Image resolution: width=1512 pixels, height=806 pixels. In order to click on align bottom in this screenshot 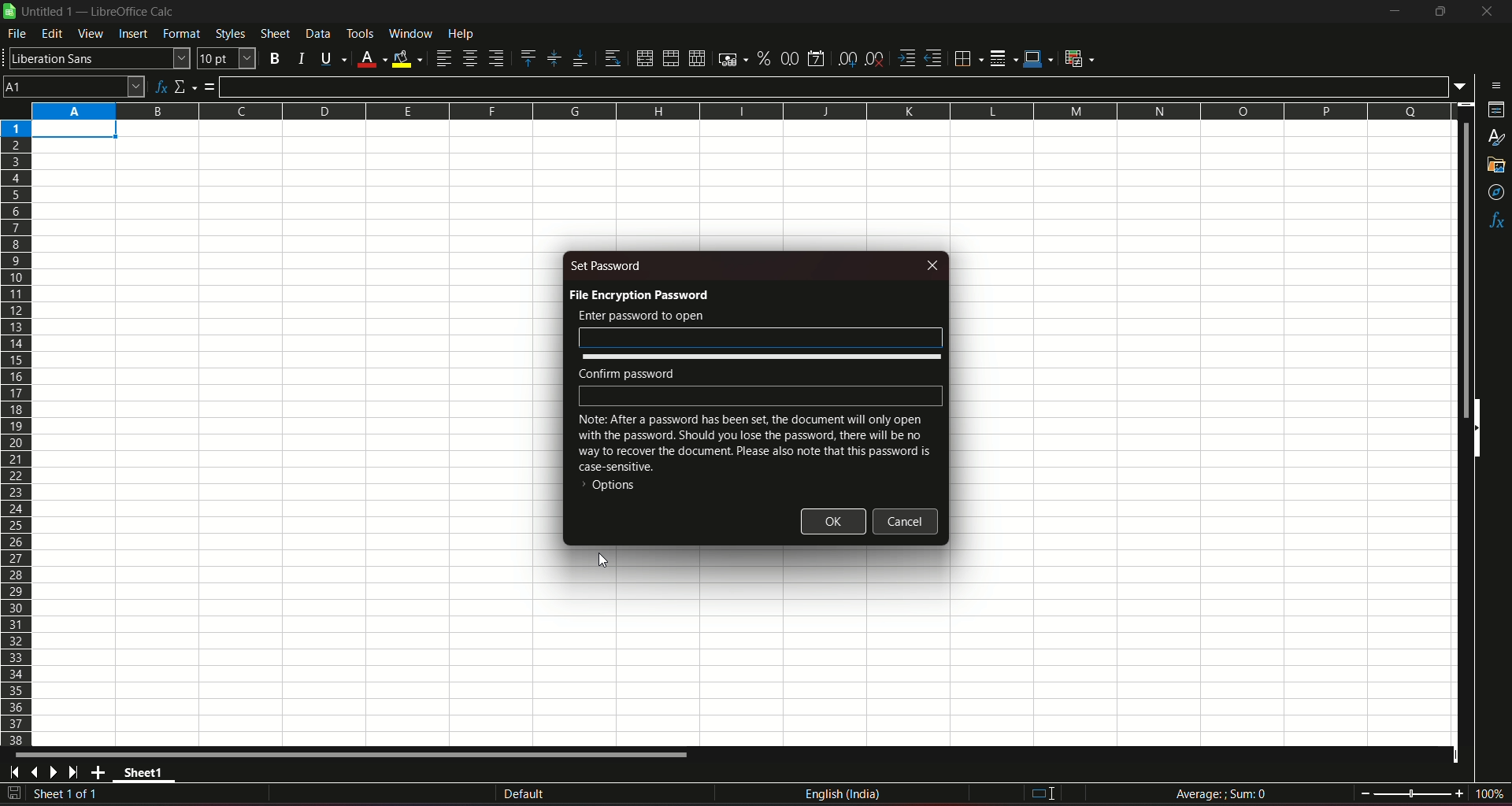, I will do `click(576, 57)`.